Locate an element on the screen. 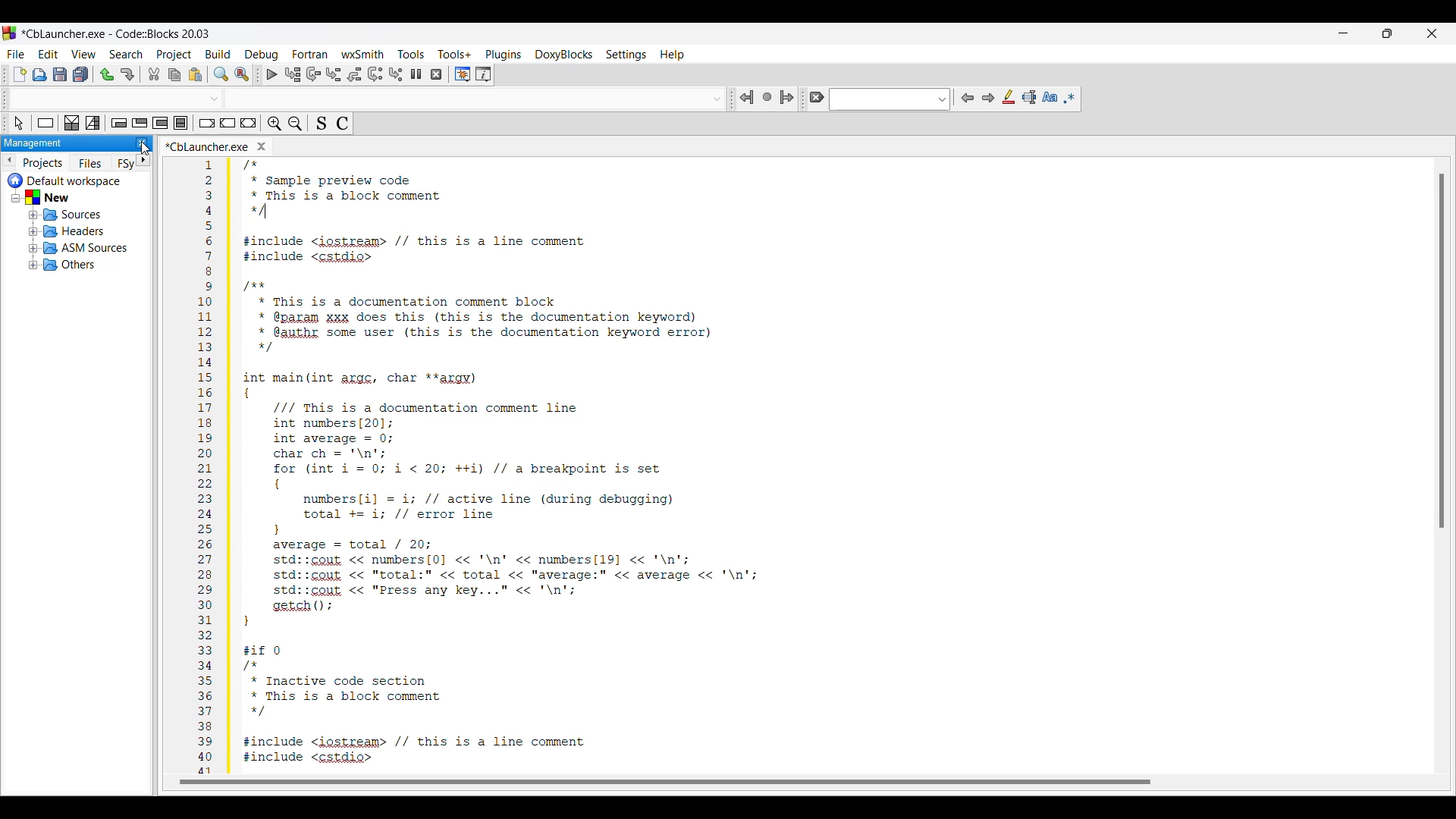 The width and height of the screenshot is (1456, 819). Instruction is located at coordinates (45, 122).